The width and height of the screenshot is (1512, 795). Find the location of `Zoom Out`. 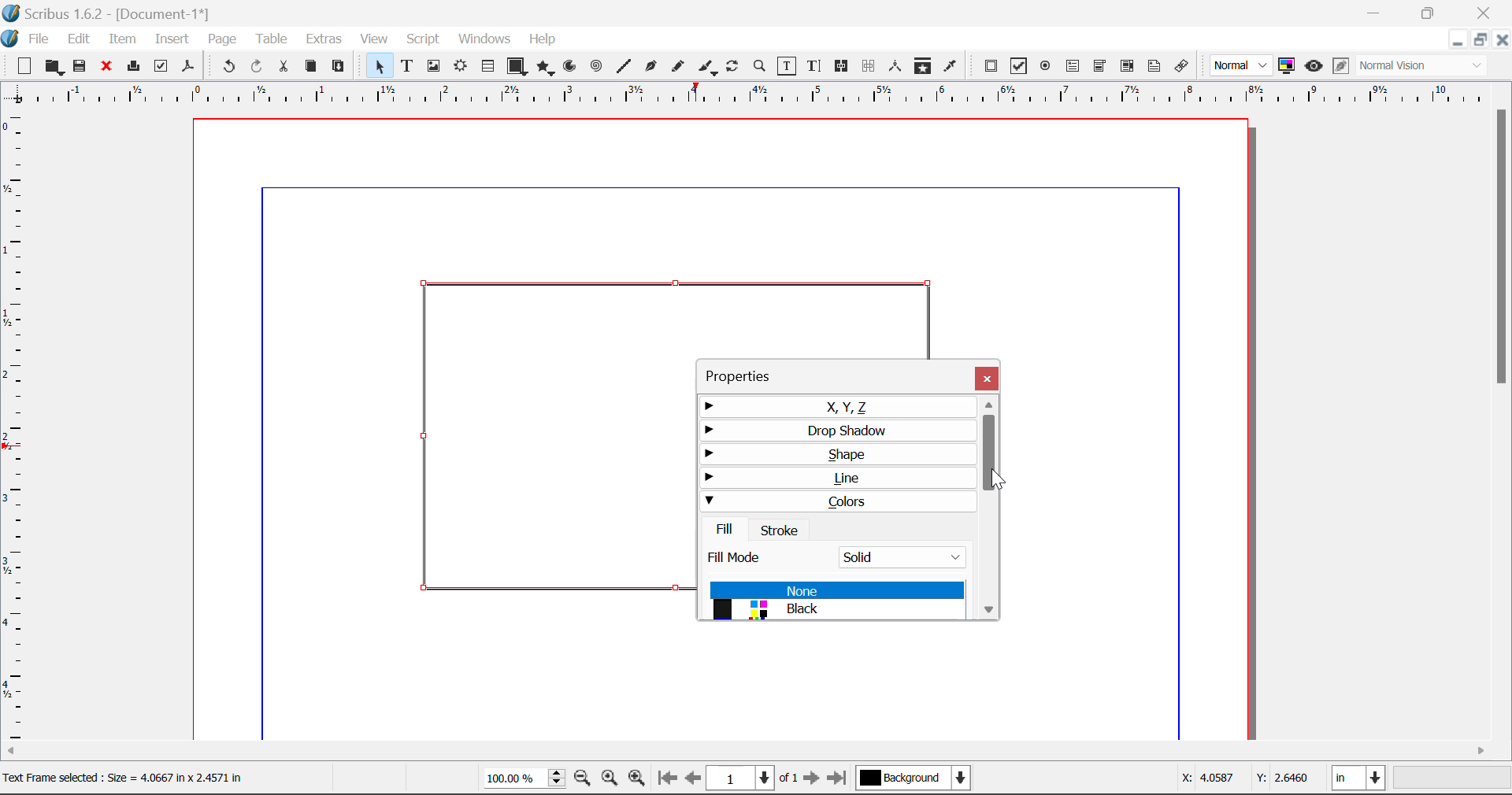

Zoom Out is located at coordinates (584, 780).